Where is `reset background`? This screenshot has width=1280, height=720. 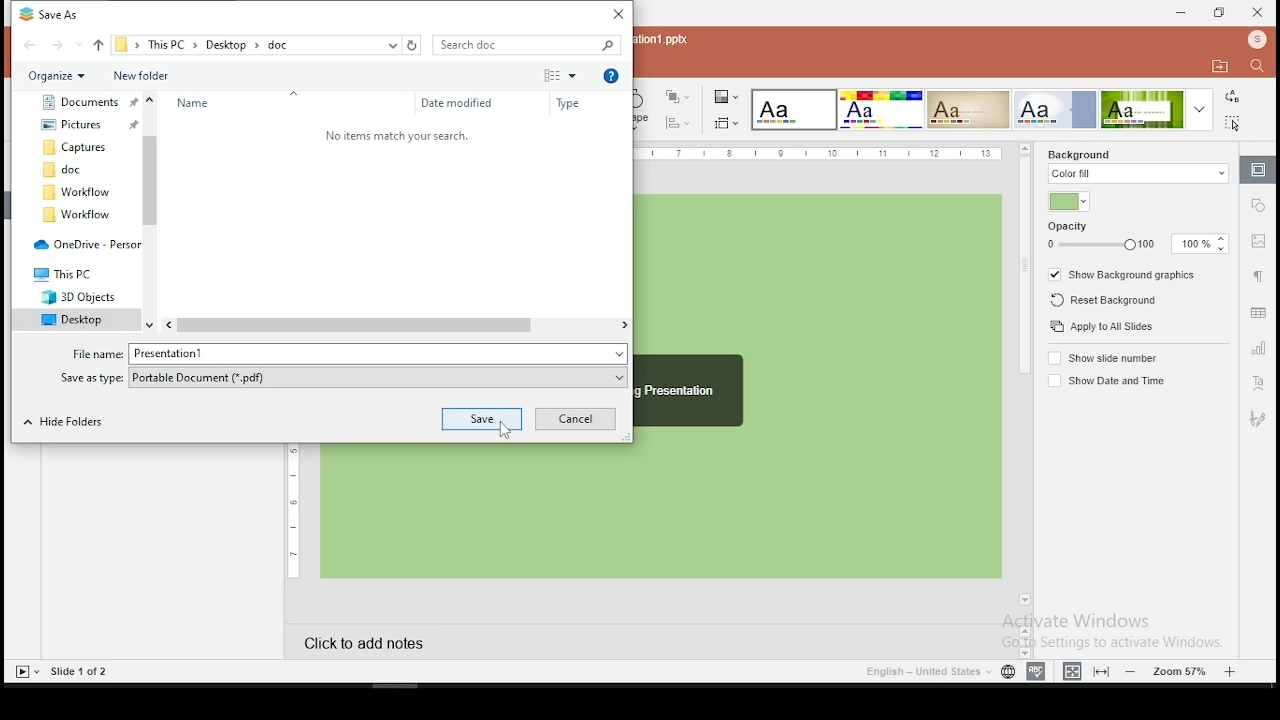
reset background is located at coordinates (1104, 300).